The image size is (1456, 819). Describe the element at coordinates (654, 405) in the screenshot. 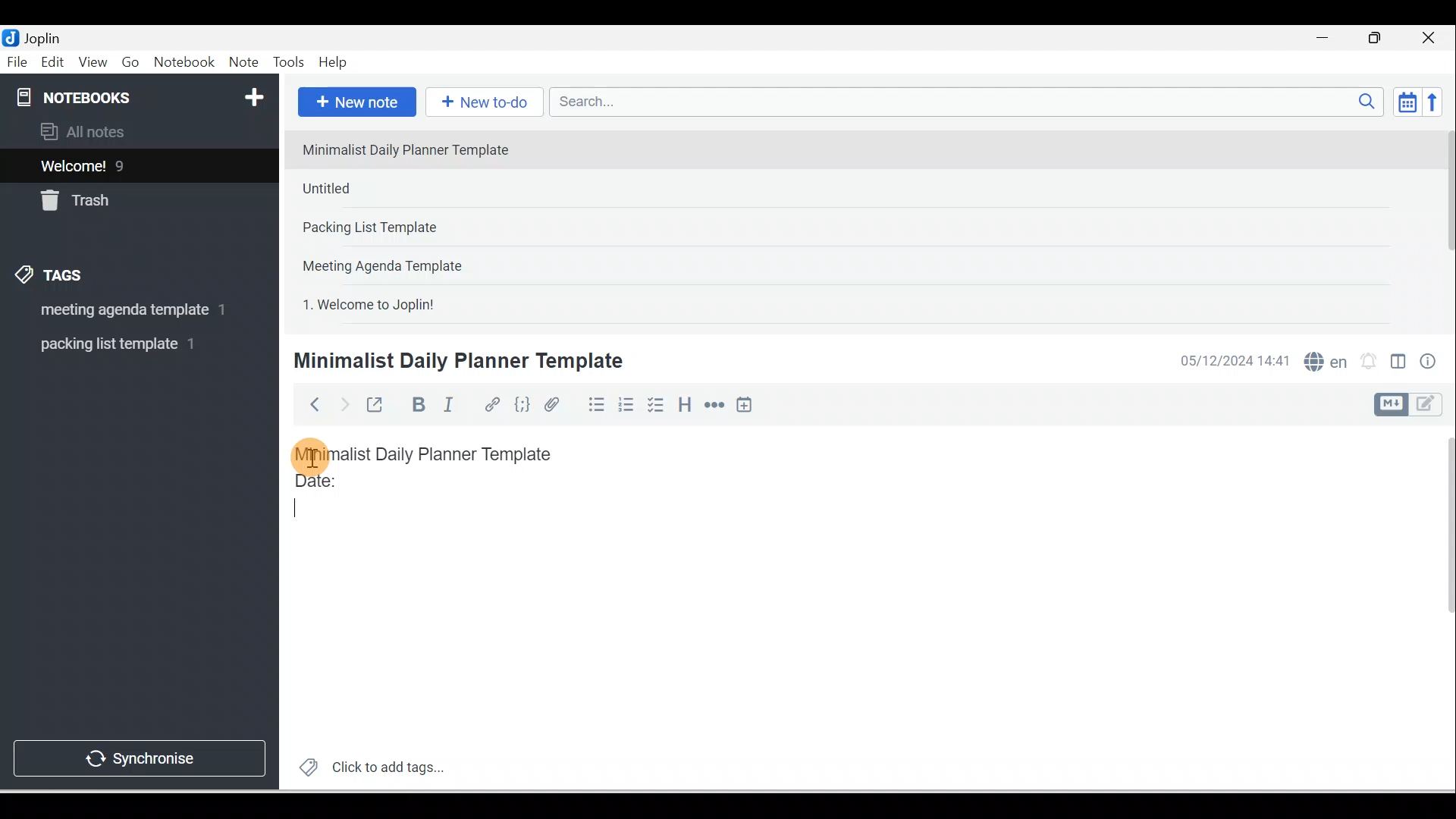

I see `Checkbox` at that location.